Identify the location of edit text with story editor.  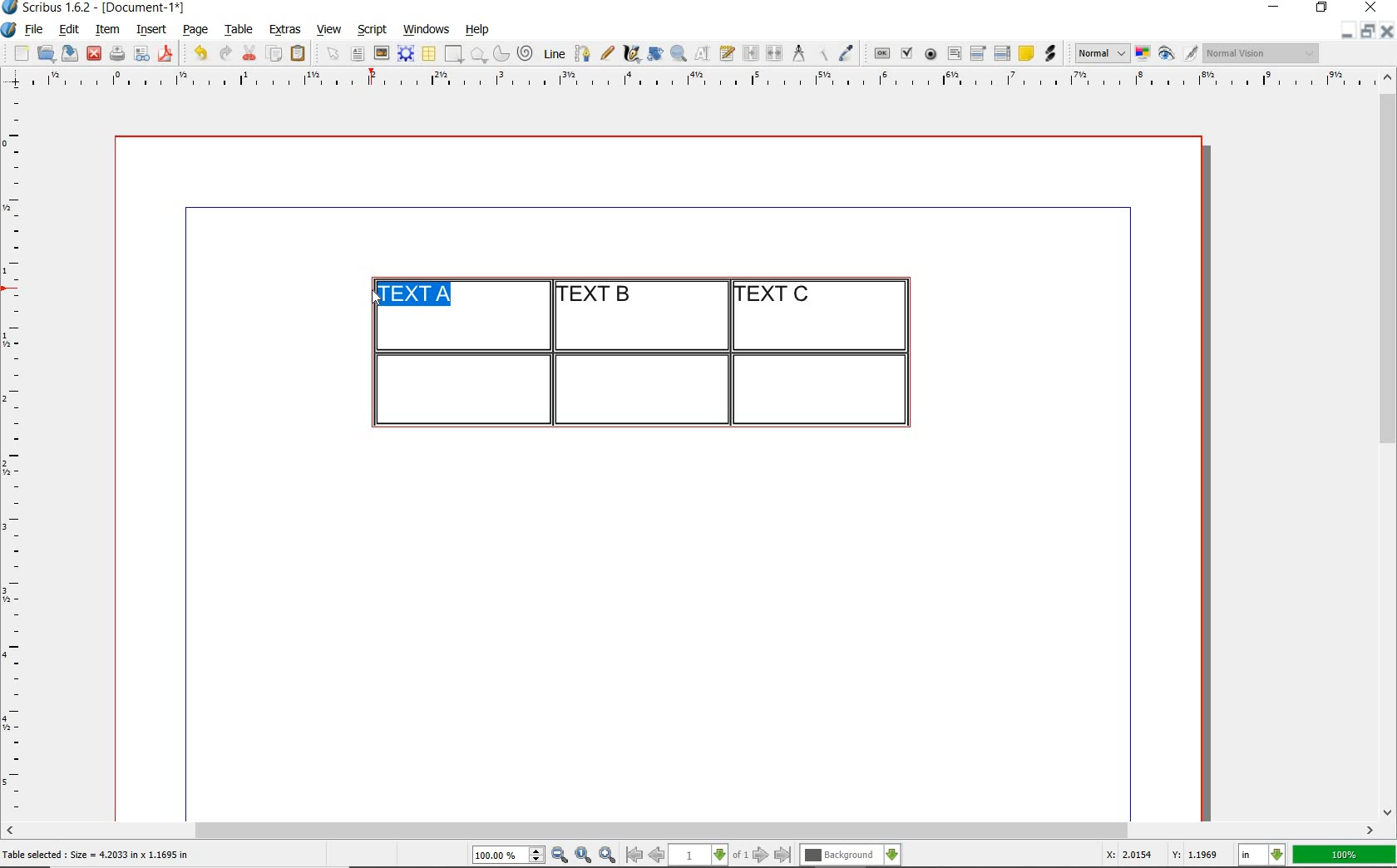
(727, 52).